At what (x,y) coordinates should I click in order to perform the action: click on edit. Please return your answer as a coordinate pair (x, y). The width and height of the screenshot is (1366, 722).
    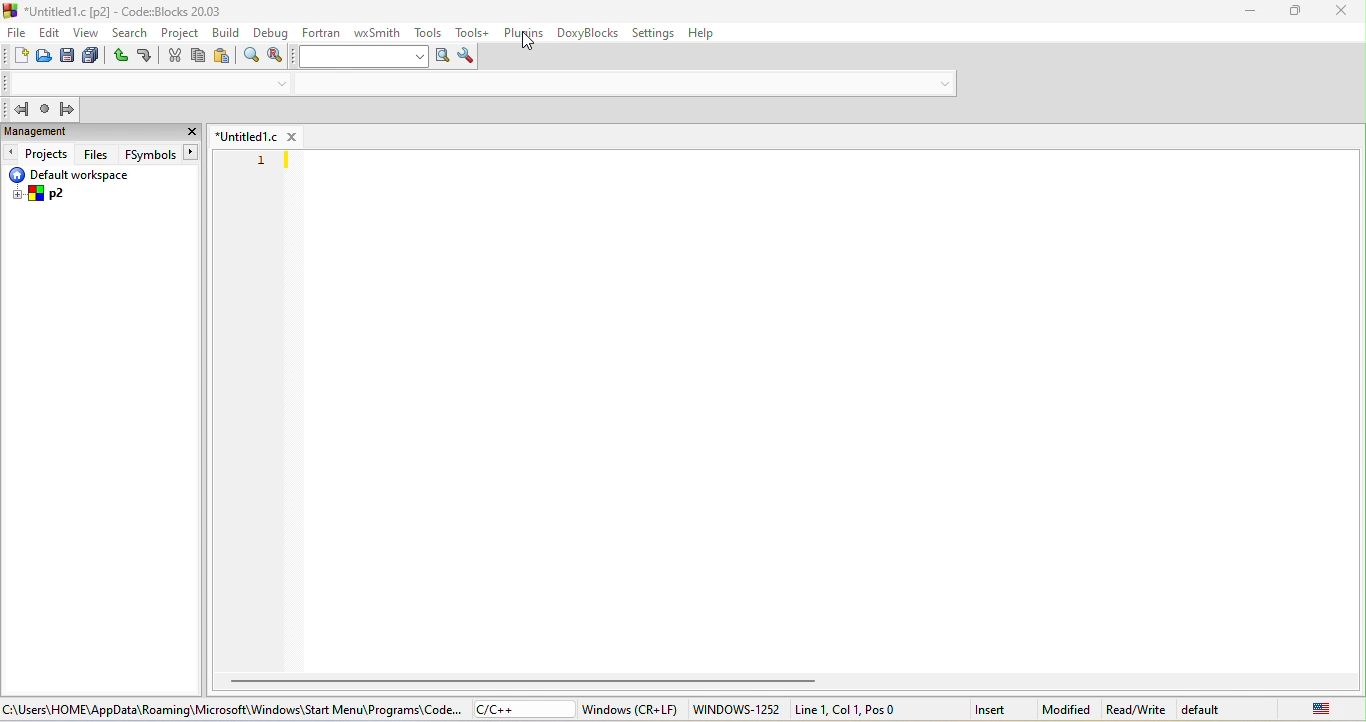
    Looking at the image, I should click on (50, 34).